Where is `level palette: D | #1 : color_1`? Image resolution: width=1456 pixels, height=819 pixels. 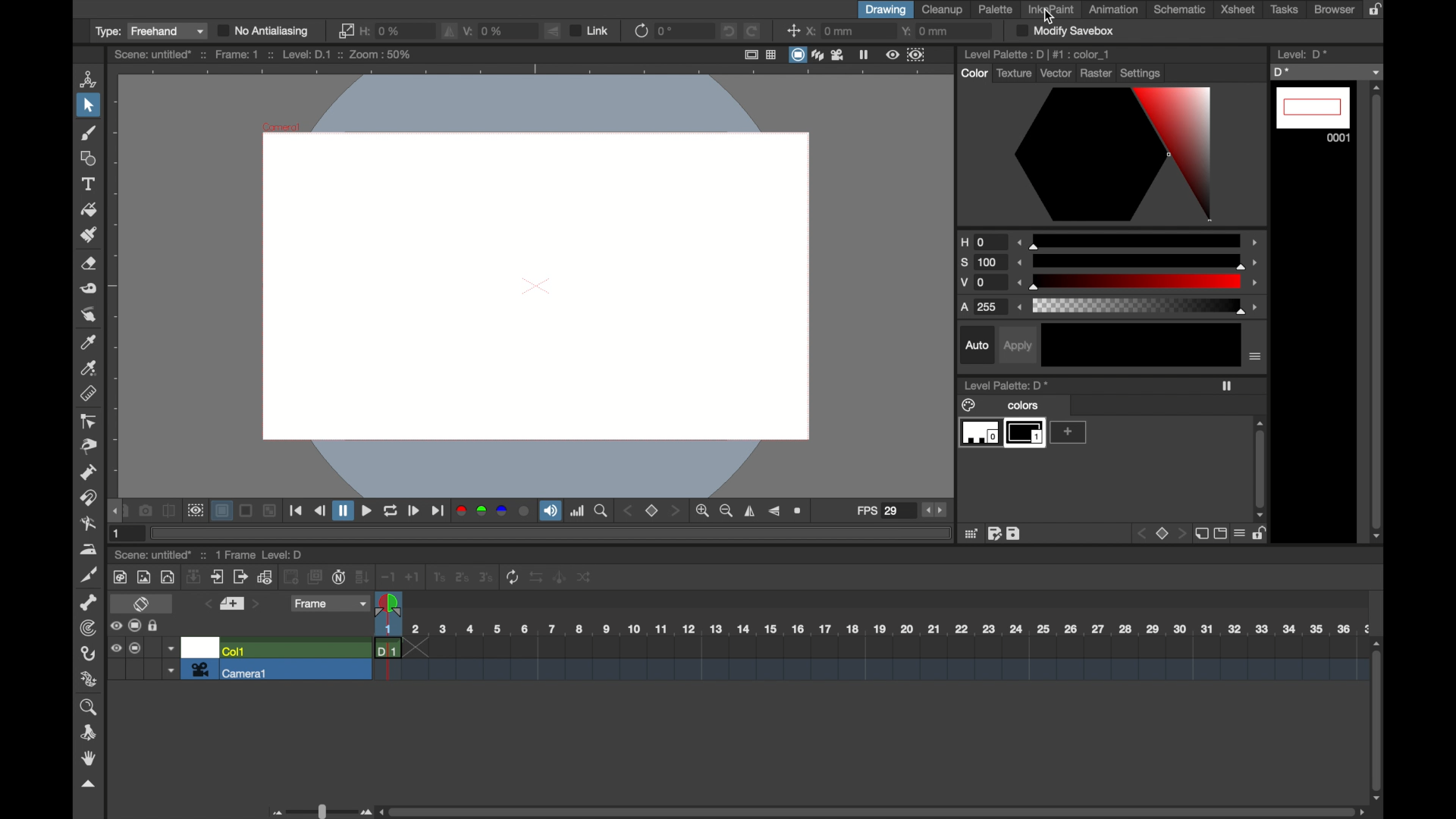
level palette: D | #1 : color_1 is located at coordinates (1037, 54).